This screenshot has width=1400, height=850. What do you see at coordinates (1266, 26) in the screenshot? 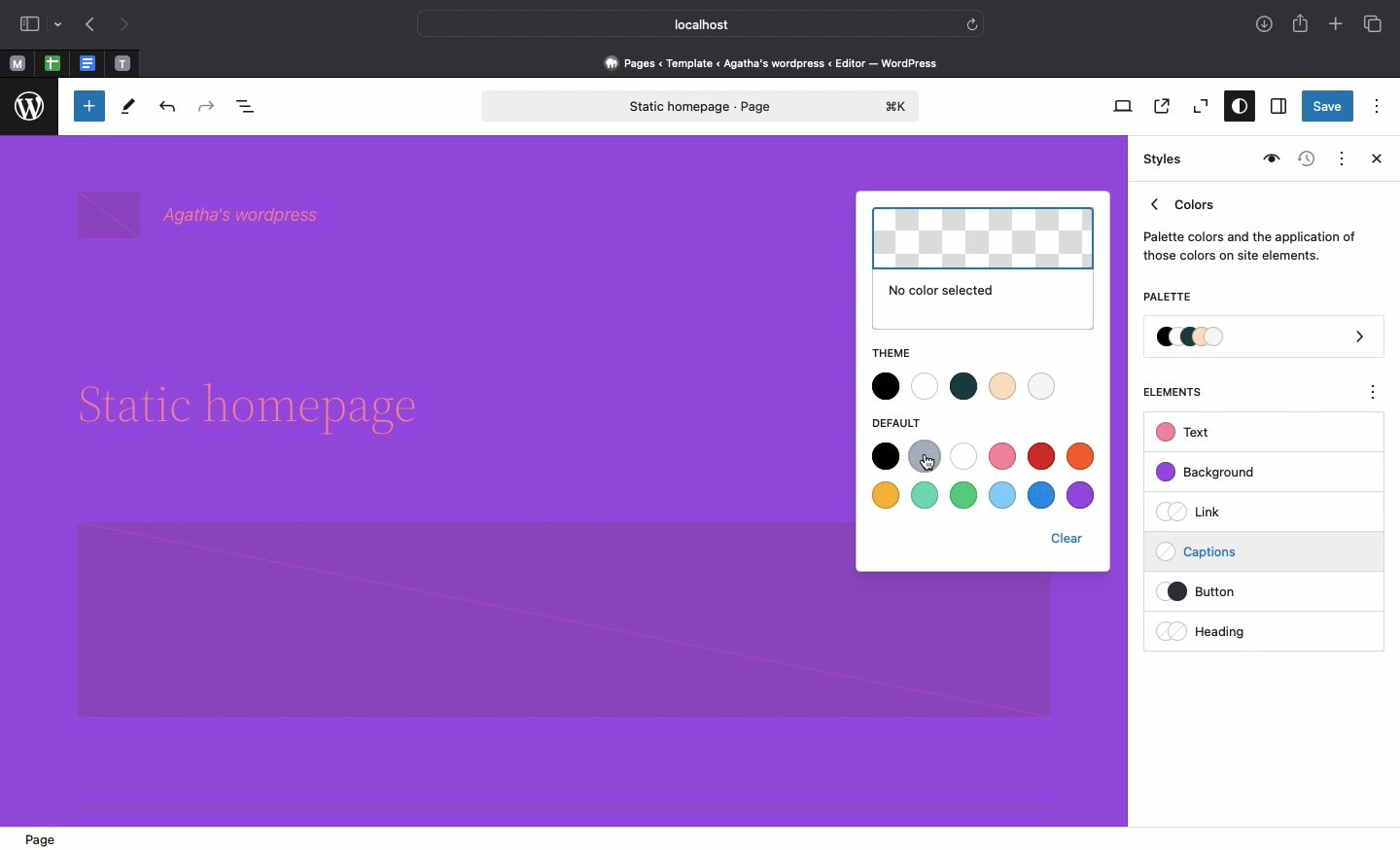
I see `Downloads` at bounding box center [1266, 26].